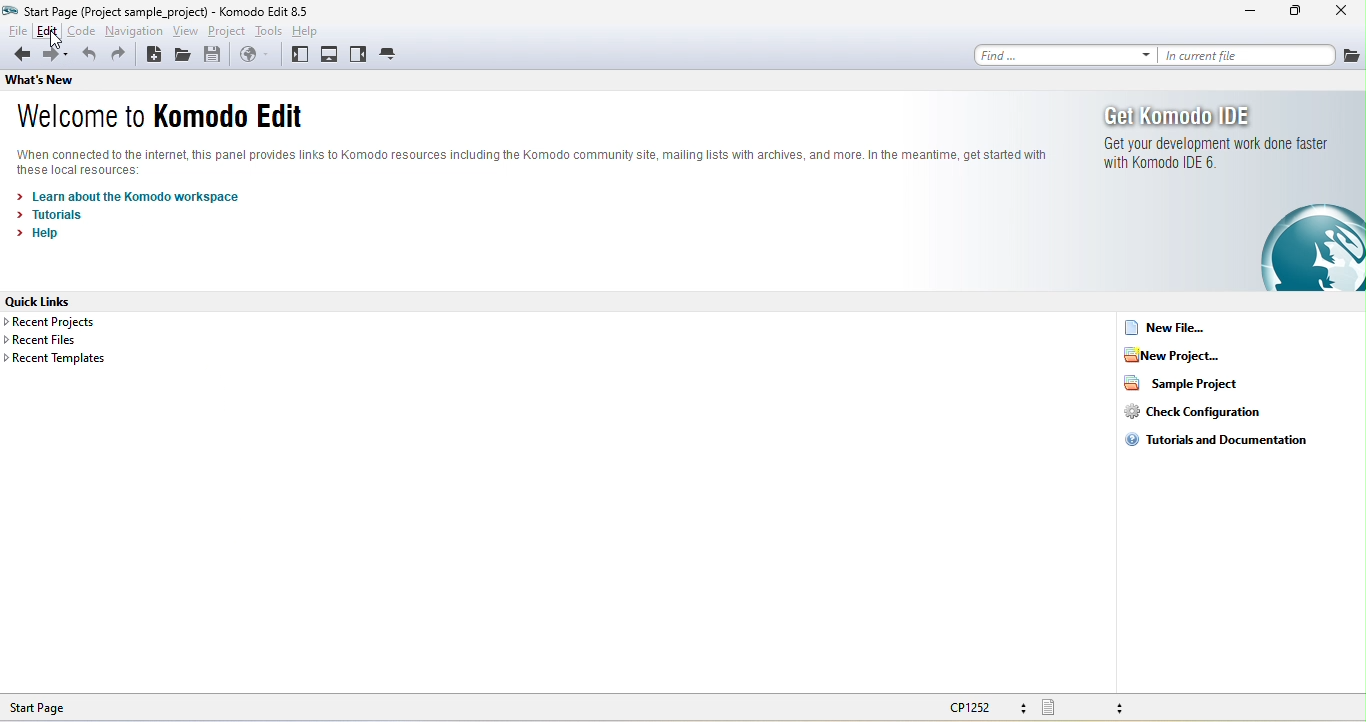 The image size is (1366, 722). I want to click on minimize, so click(1250, 12).